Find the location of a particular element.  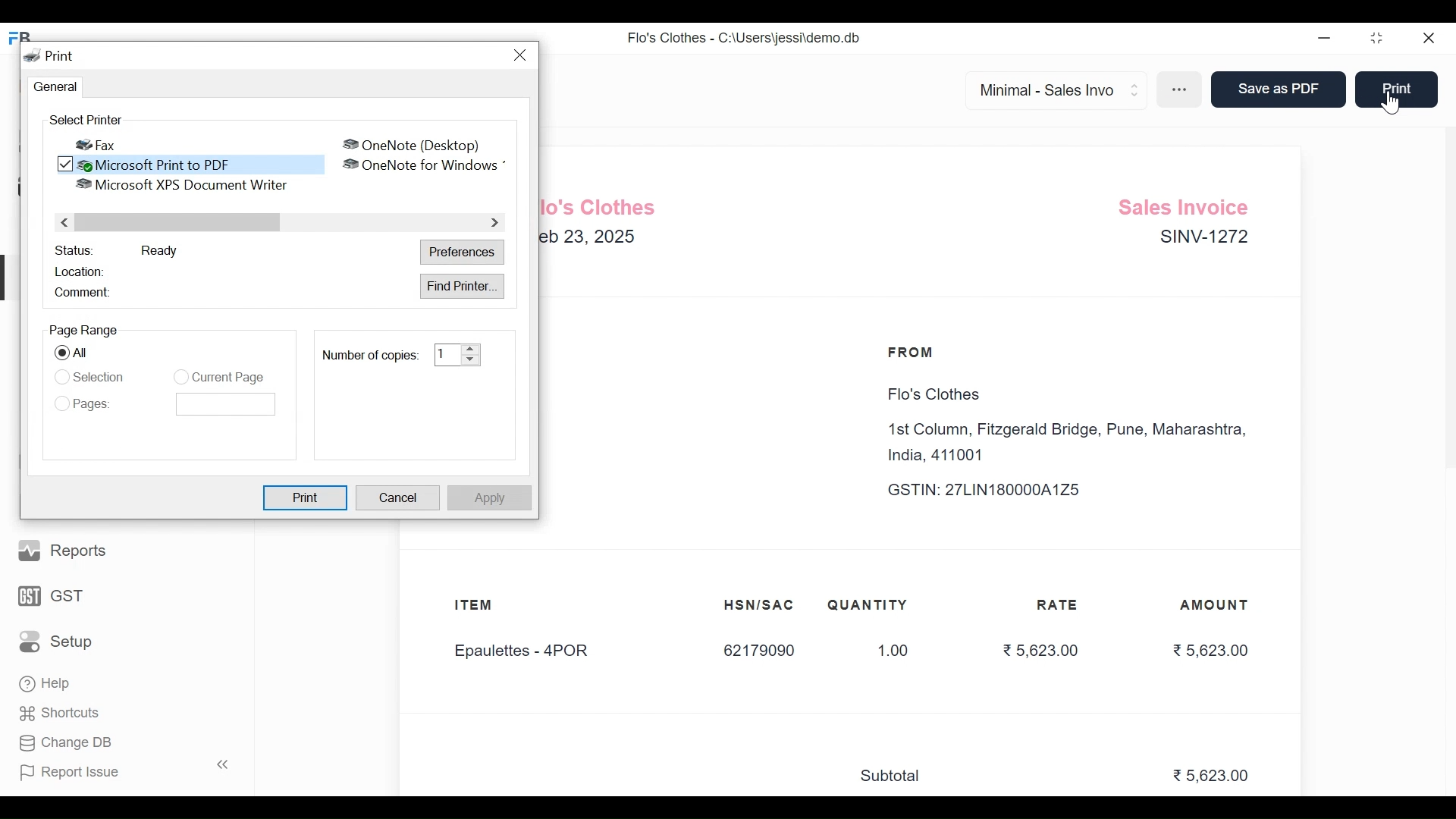

Comment is located at coordinates (83, 293).